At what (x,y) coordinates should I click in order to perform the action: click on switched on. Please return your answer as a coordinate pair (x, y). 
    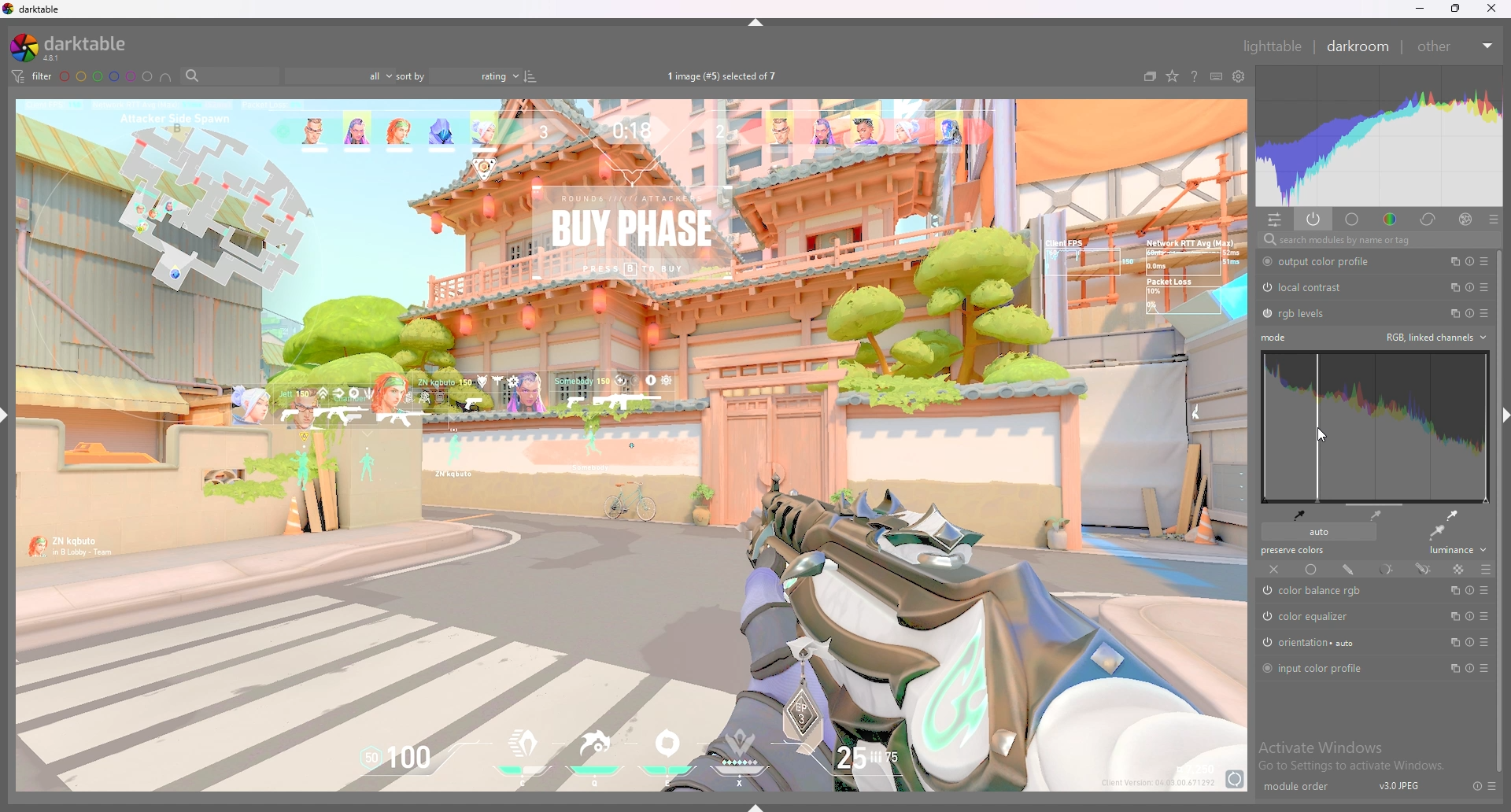
    Looking at the image, I should click on (1266, 262).